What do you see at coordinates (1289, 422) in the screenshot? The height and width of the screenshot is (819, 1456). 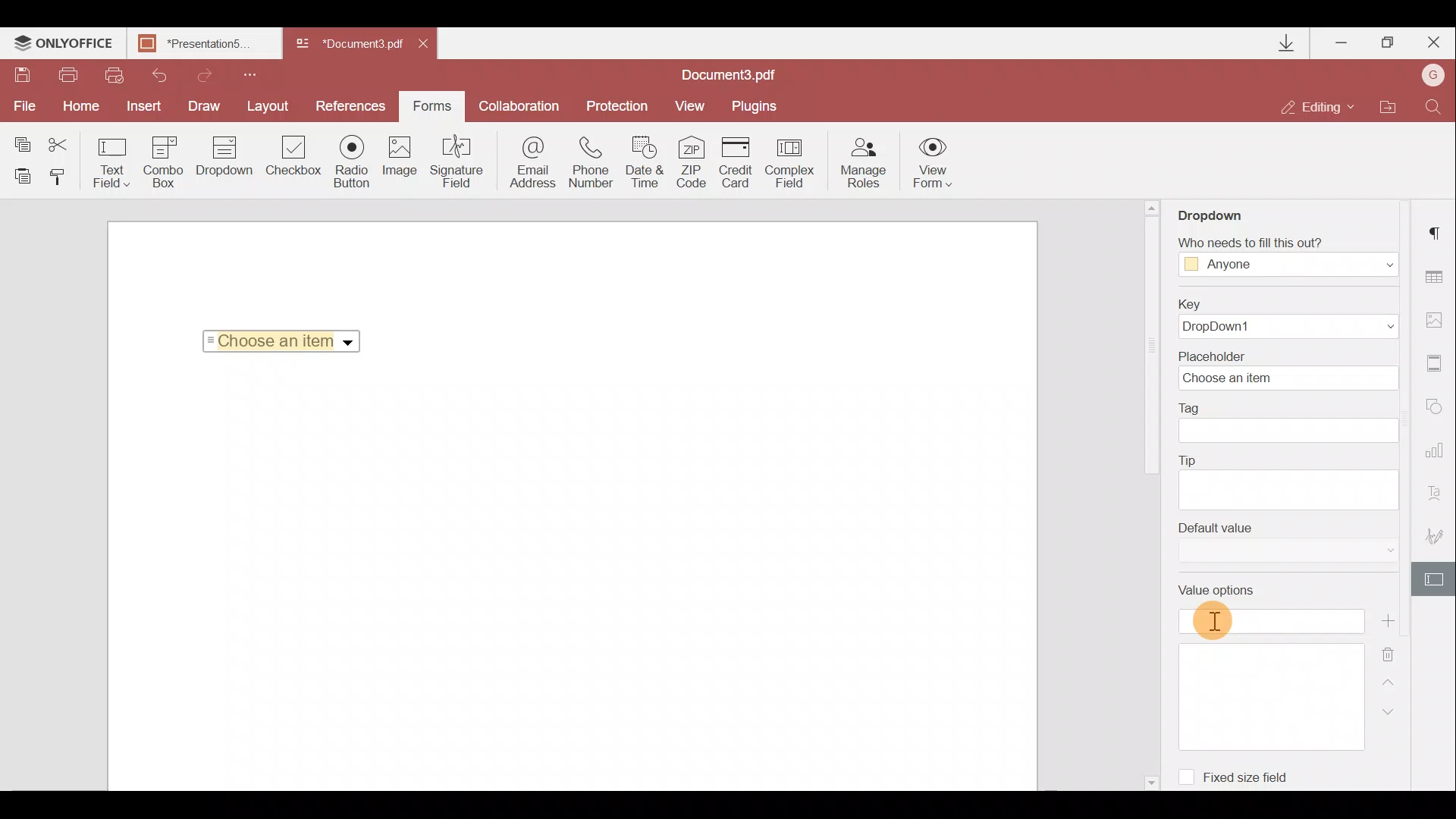 I see `Tag` at bounding box center [1289, 422].